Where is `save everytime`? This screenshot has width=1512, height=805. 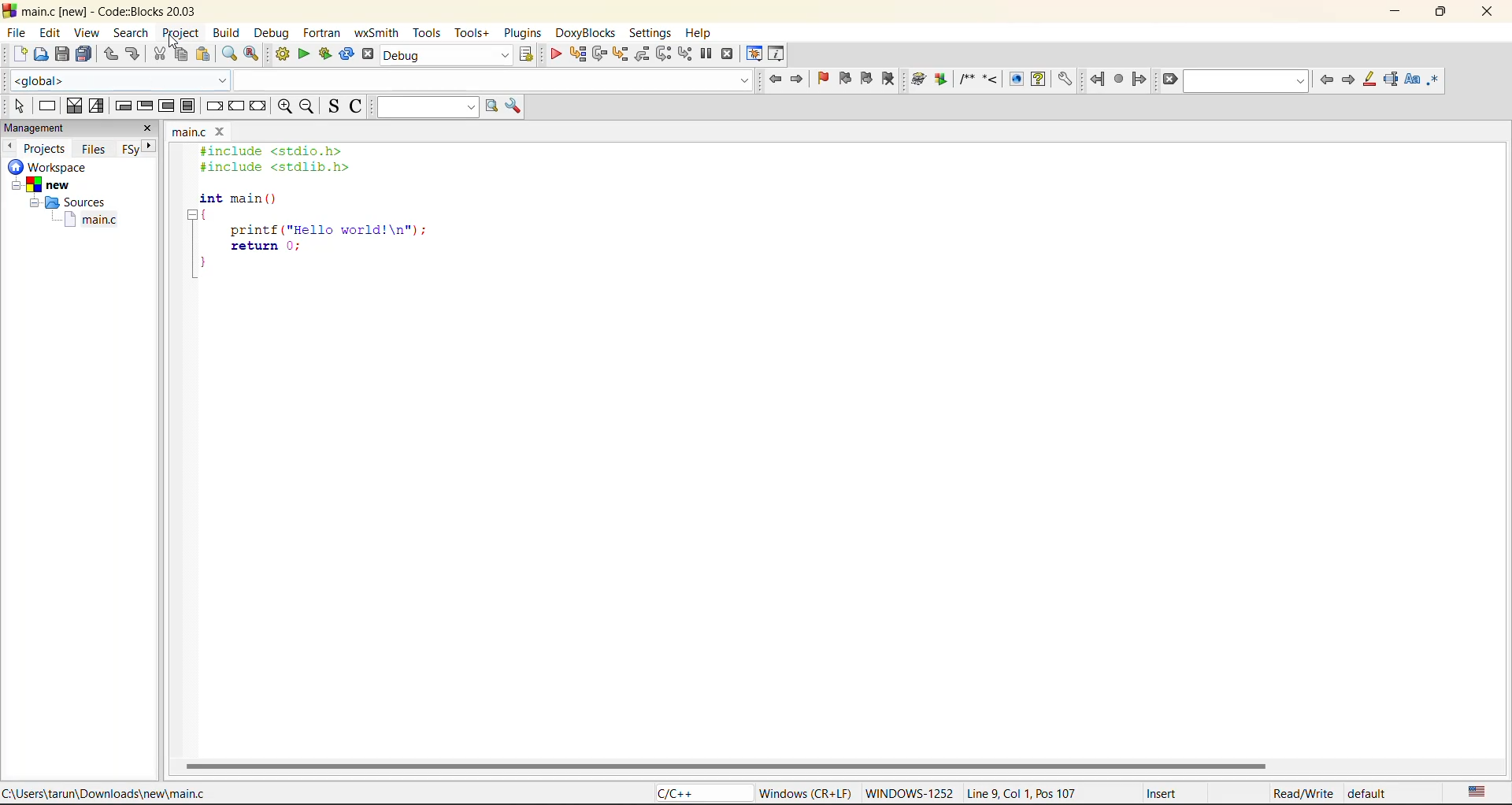
save everytime is located at coordinates (83, 54).